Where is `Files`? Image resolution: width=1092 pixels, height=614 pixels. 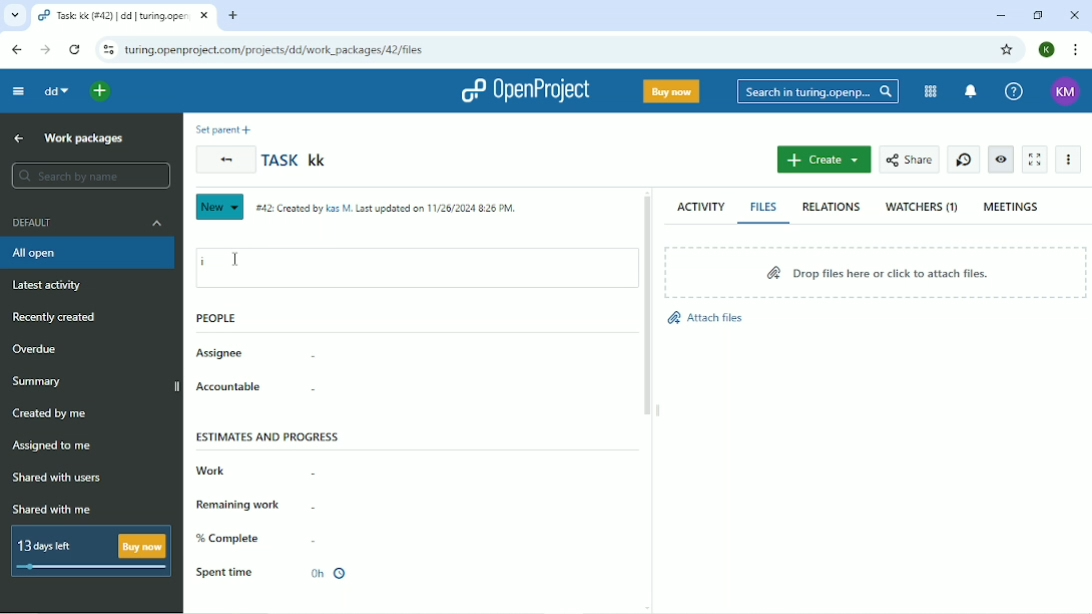
Files is located at coordinates (764, 207).